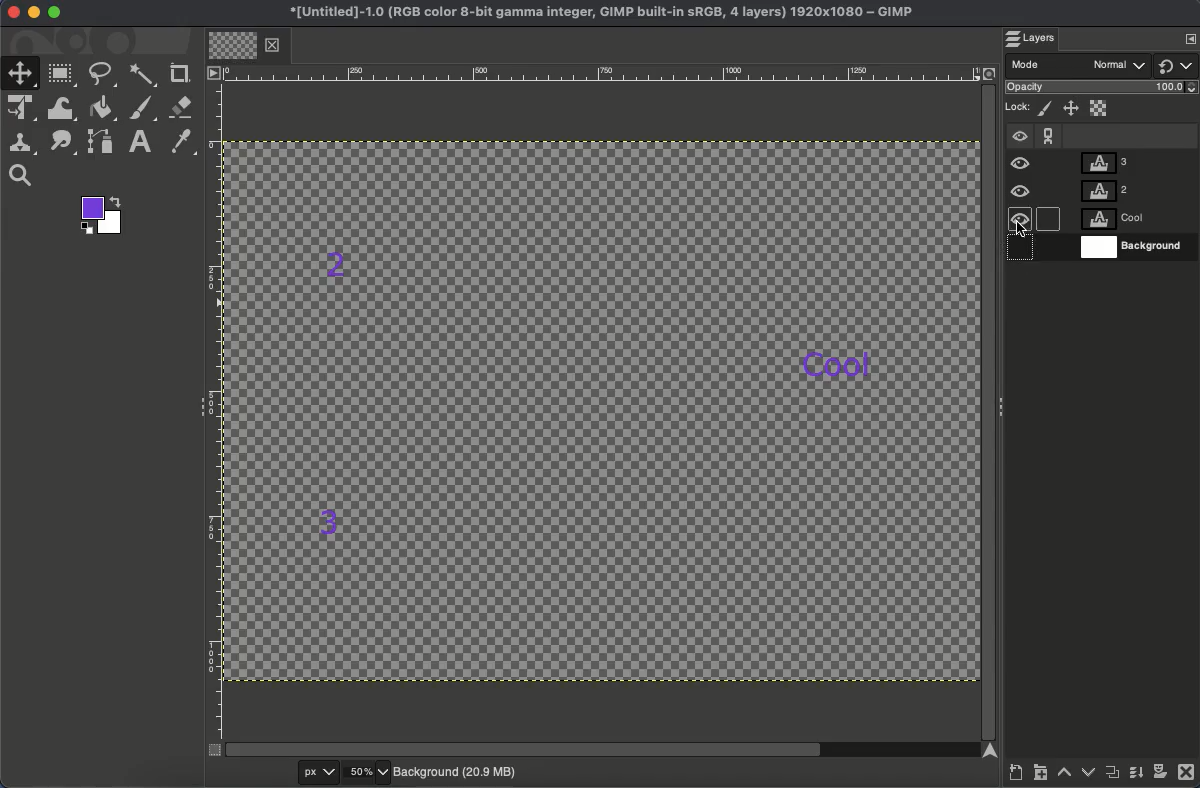 This screenshot has width=1200, height=788. Describe the element at coordinates (1023, 231) in the screenshot. I see `cursor` at that location.